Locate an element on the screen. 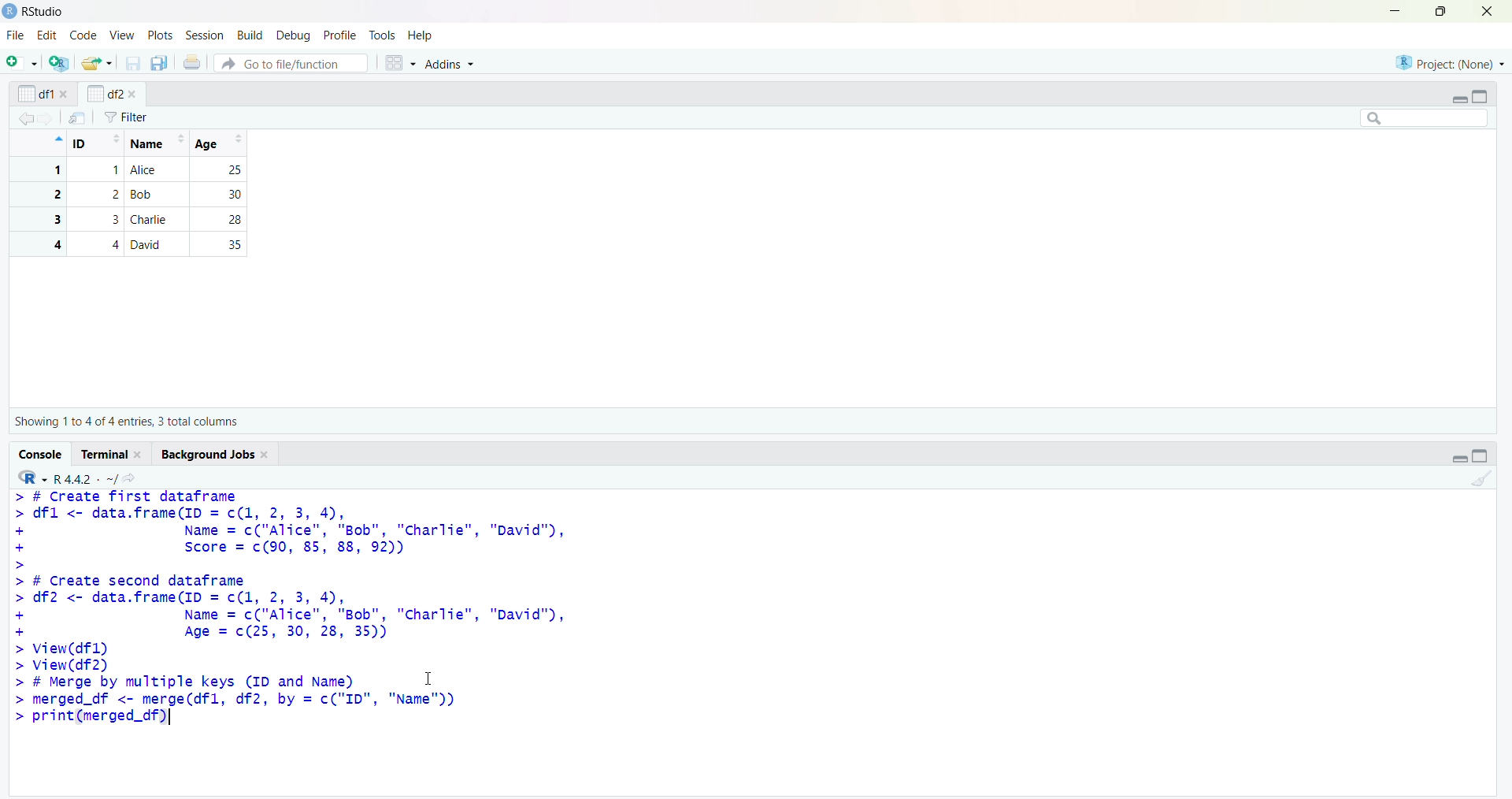 This screenshot has height=799, width=1512. R 4.4.2  ~/ is located at coordinates (85, 479).